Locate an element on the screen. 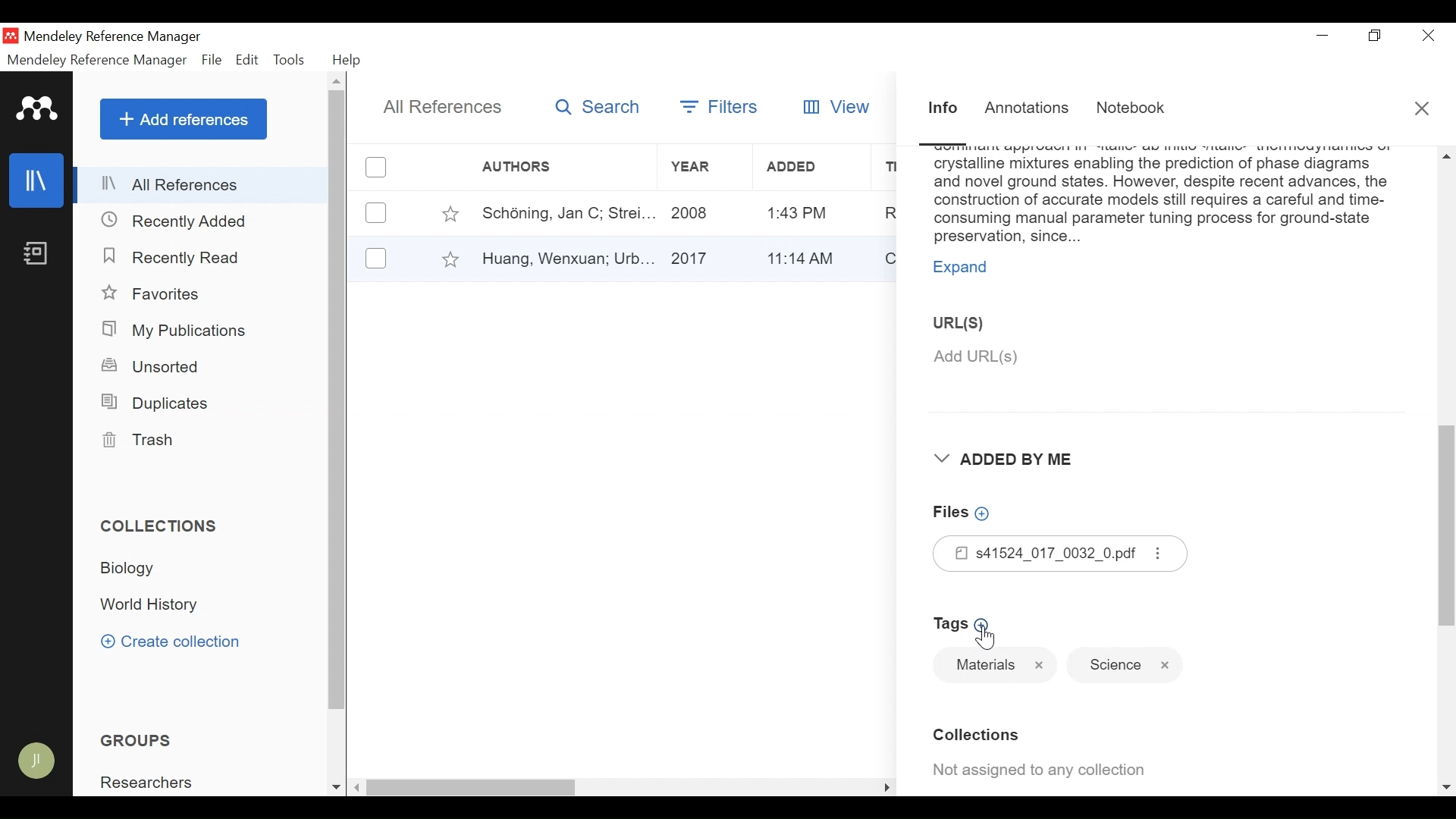 The width and height of the screenshot is (1456, 819). Recently Read is located at coordinates (180, 259).